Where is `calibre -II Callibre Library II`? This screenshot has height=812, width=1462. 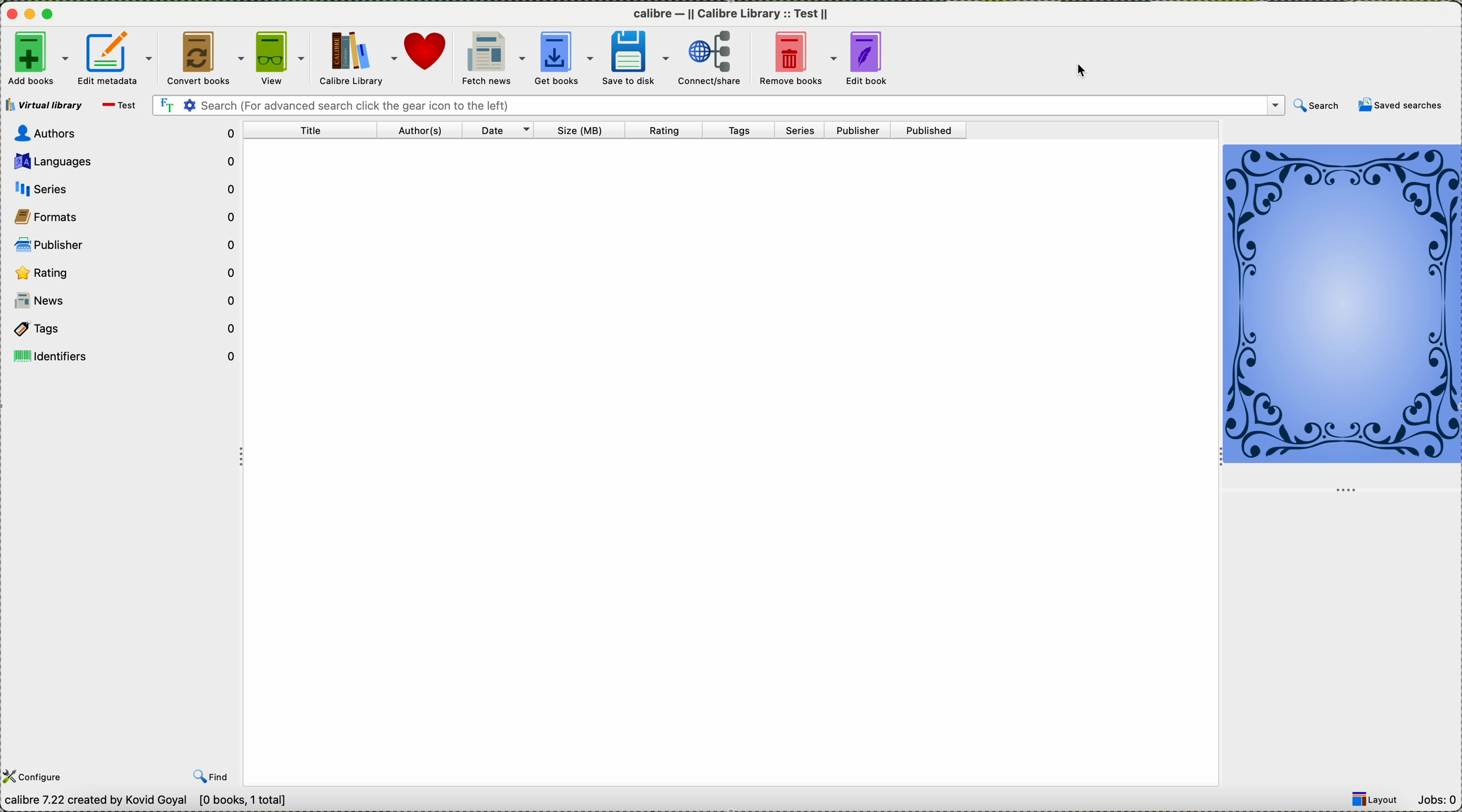 calibre -II Callibre Library II is located at coordinates (736, 14).